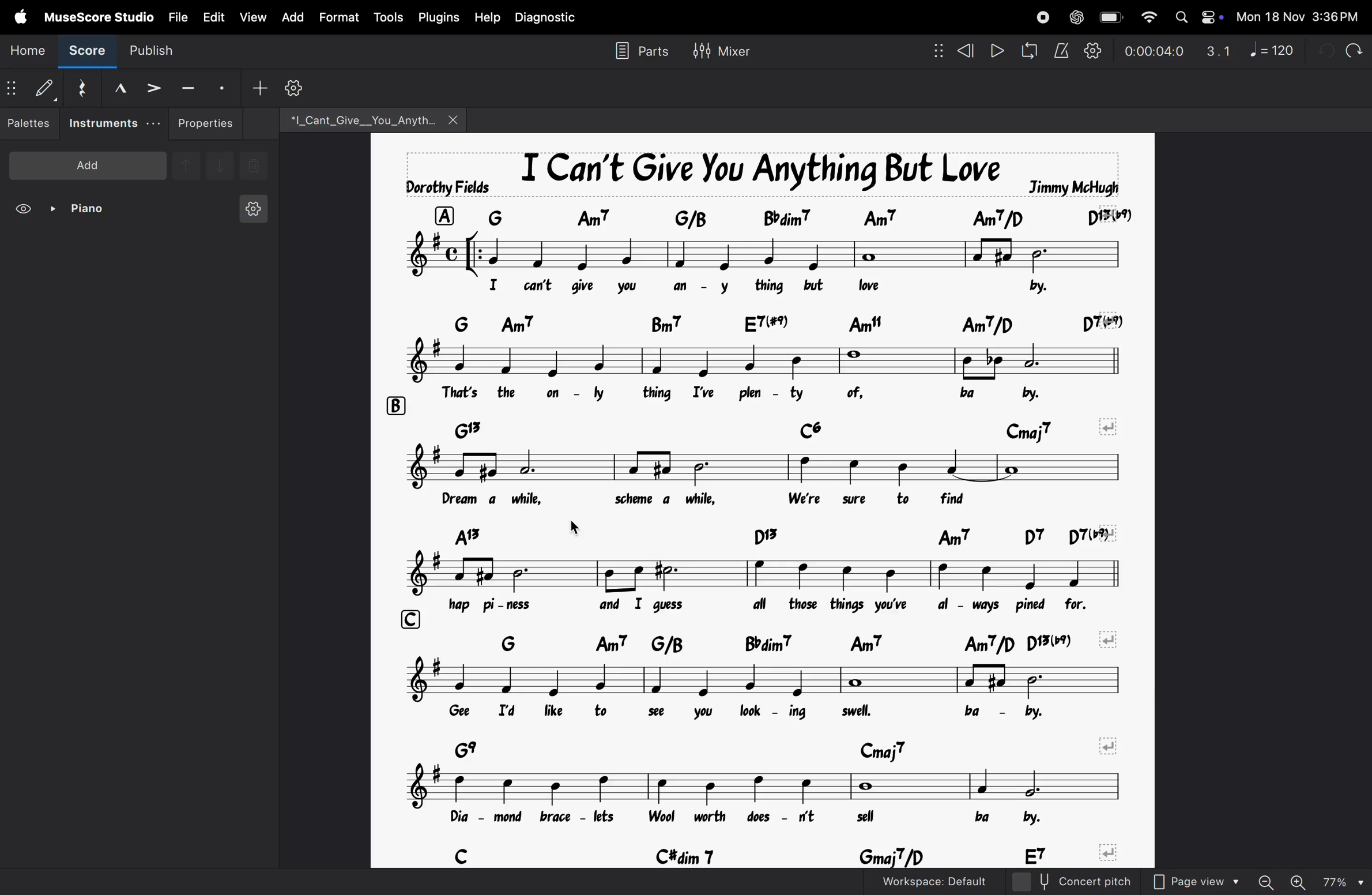 This screenshot has height=895, width=1372. I want to click on add, so click(255, 90).